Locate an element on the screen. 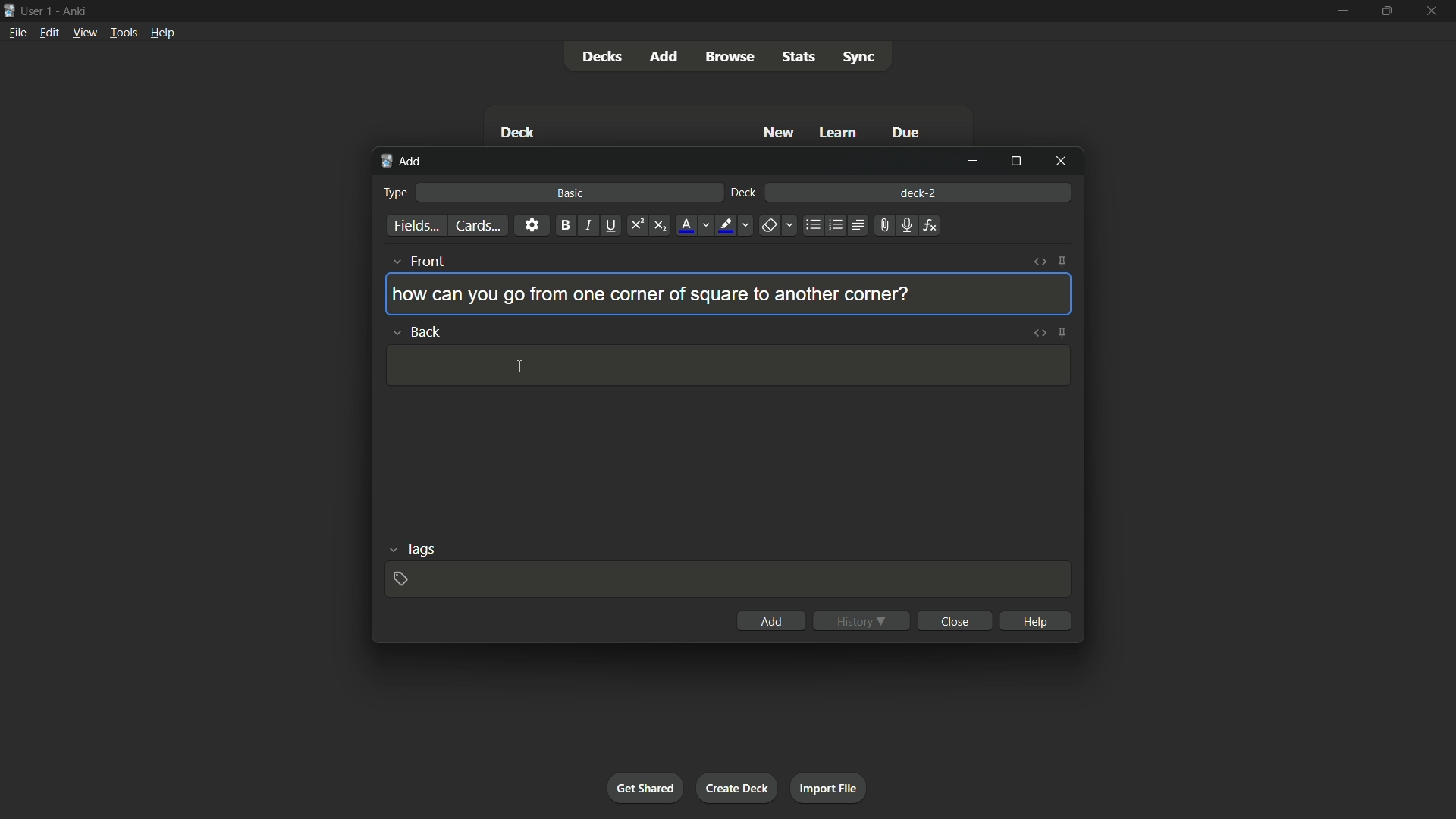  unordered list is located at coordinates (811, 225).